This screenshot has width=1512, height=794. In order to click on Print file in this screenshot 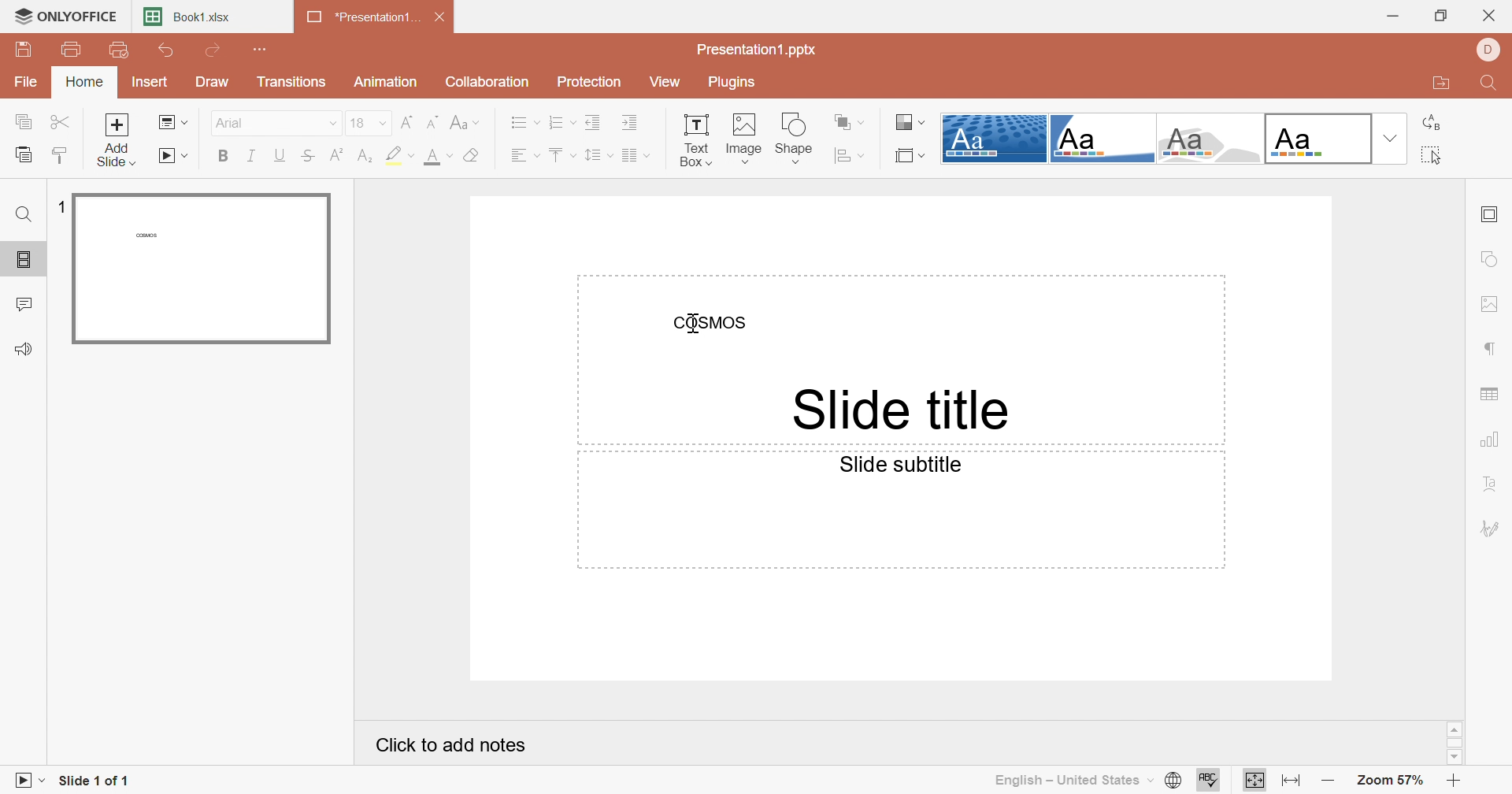, I will do `click(74, 48)`.